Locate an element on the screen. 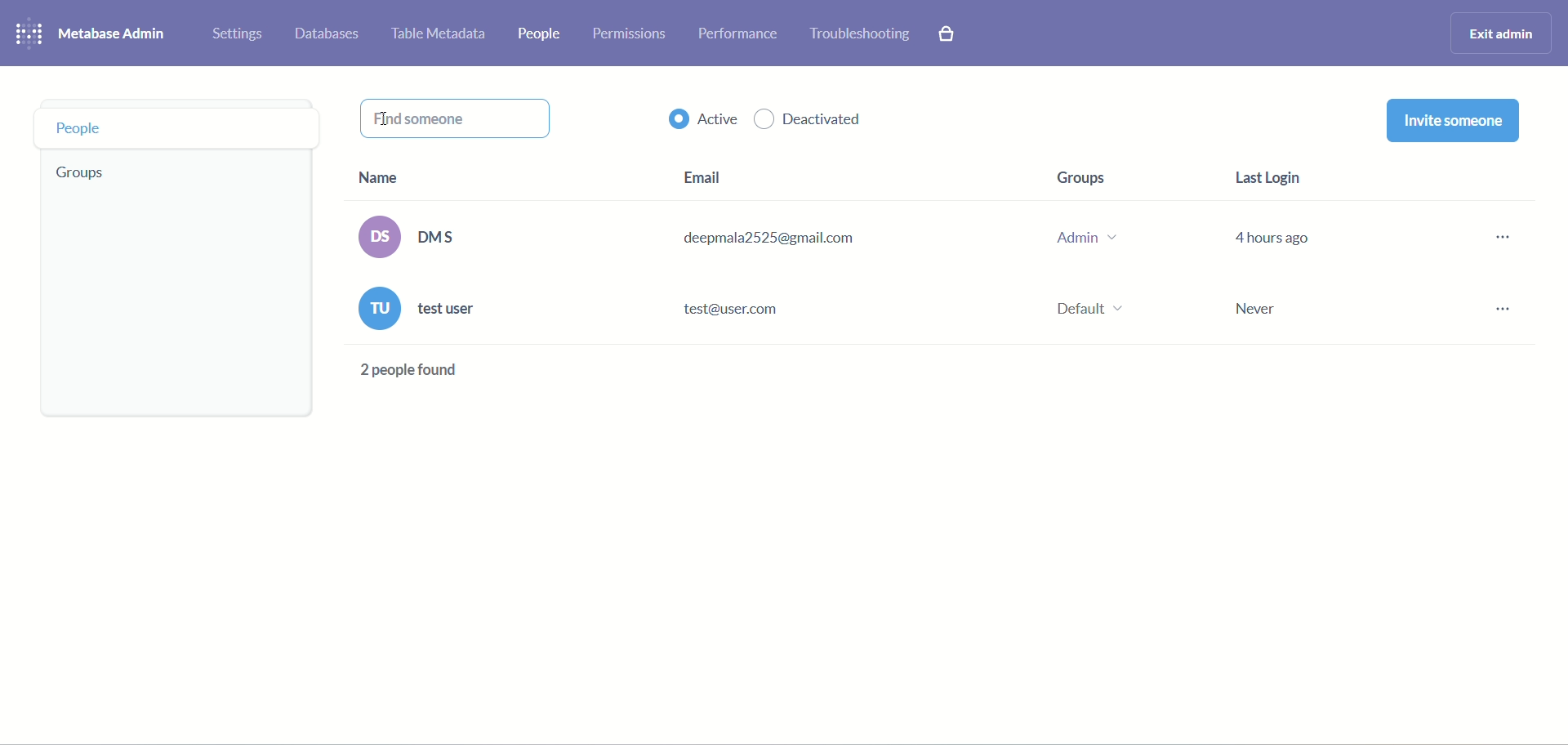 The width and height of the screenshot is (1568, 745). performance is located at coordinates (739, 33).